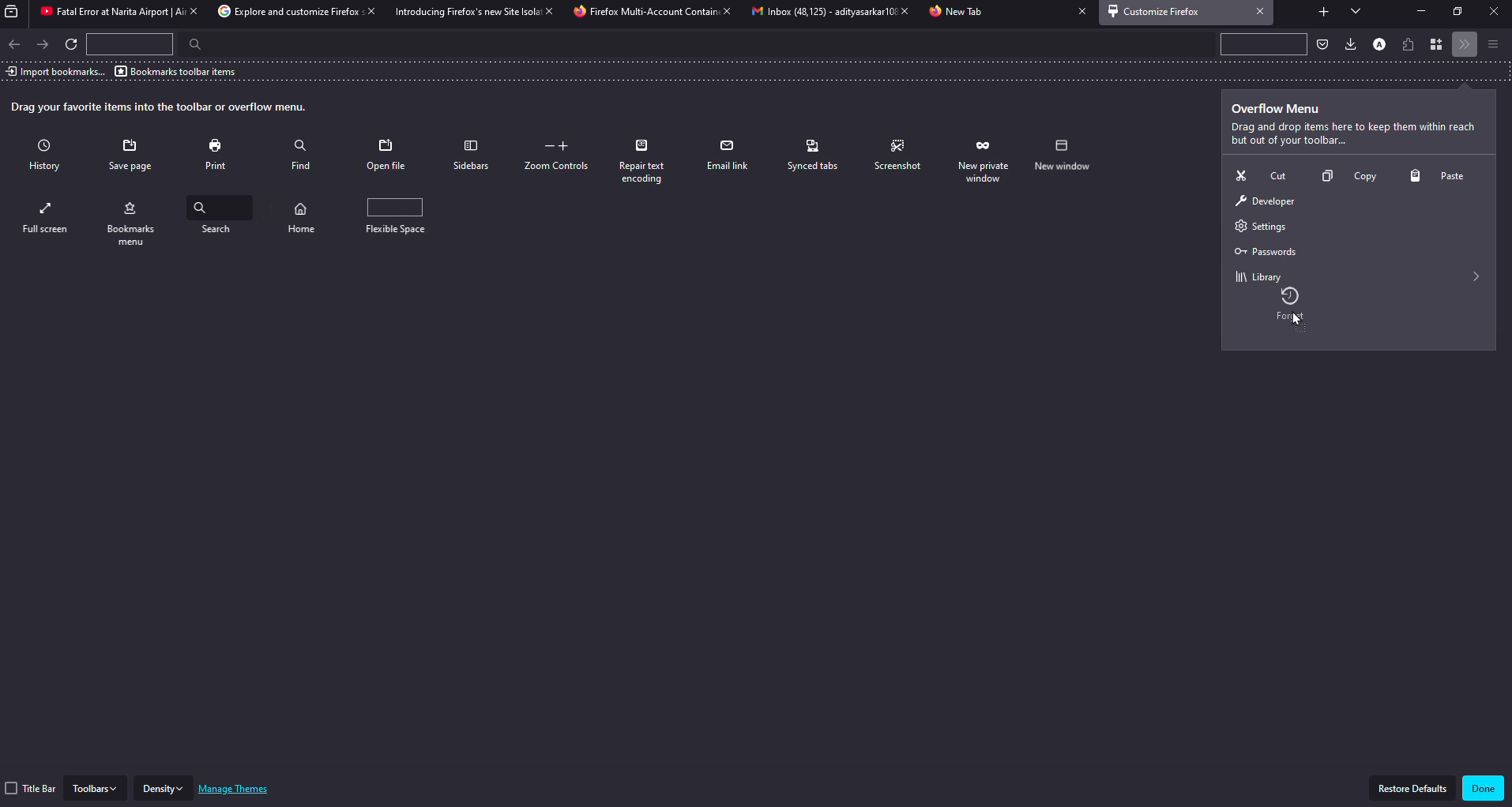 This screenshot has height=807, width=1512. What do you see at coordinates (1483, 788) in the screenshot?
I see `done` at bounding box center [1483, 788].